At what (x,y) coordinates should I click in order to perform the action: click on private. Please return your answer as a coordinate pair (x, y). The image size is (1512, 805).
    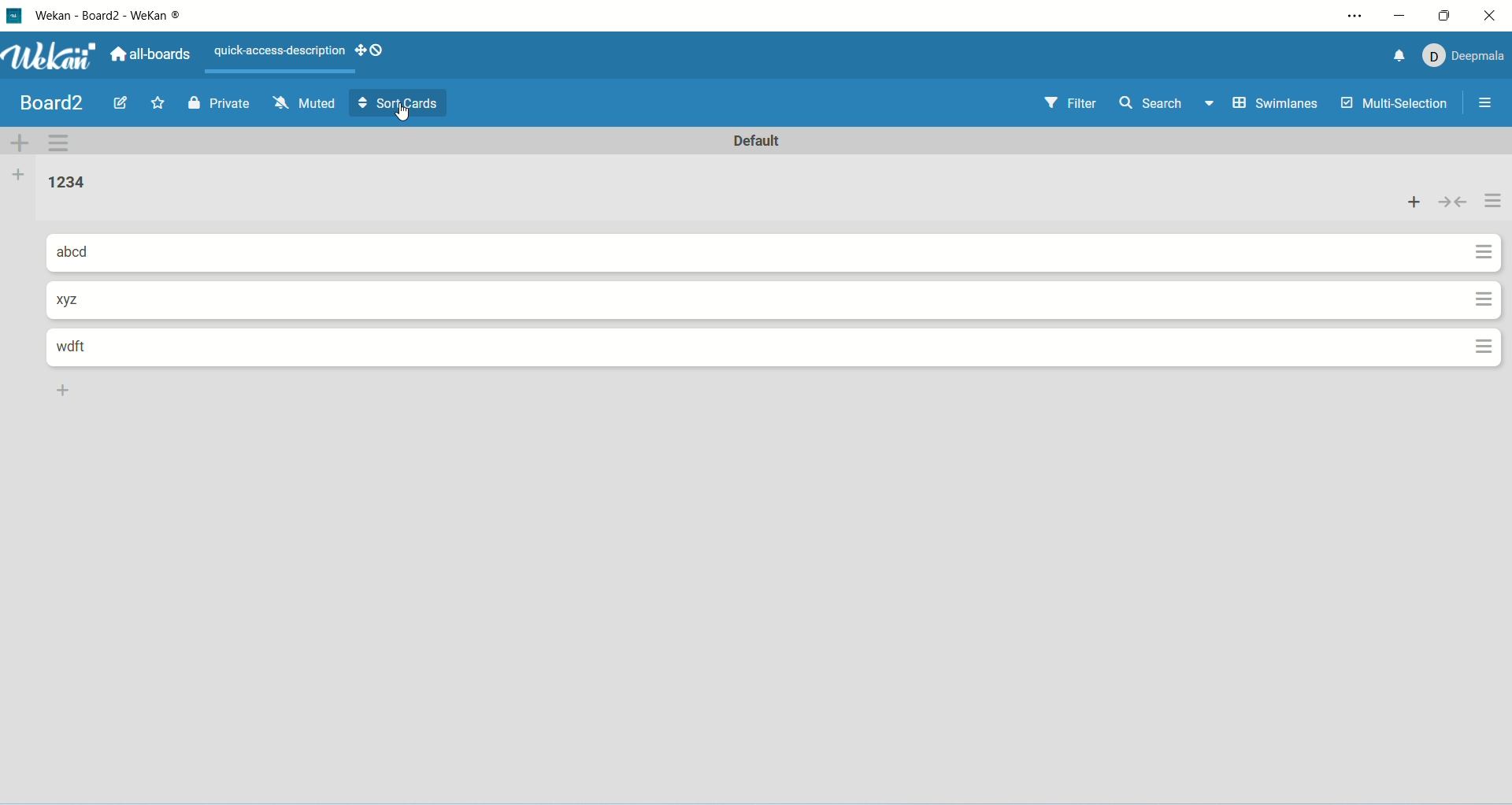
    Looking at the image, I should click on (219, 105).